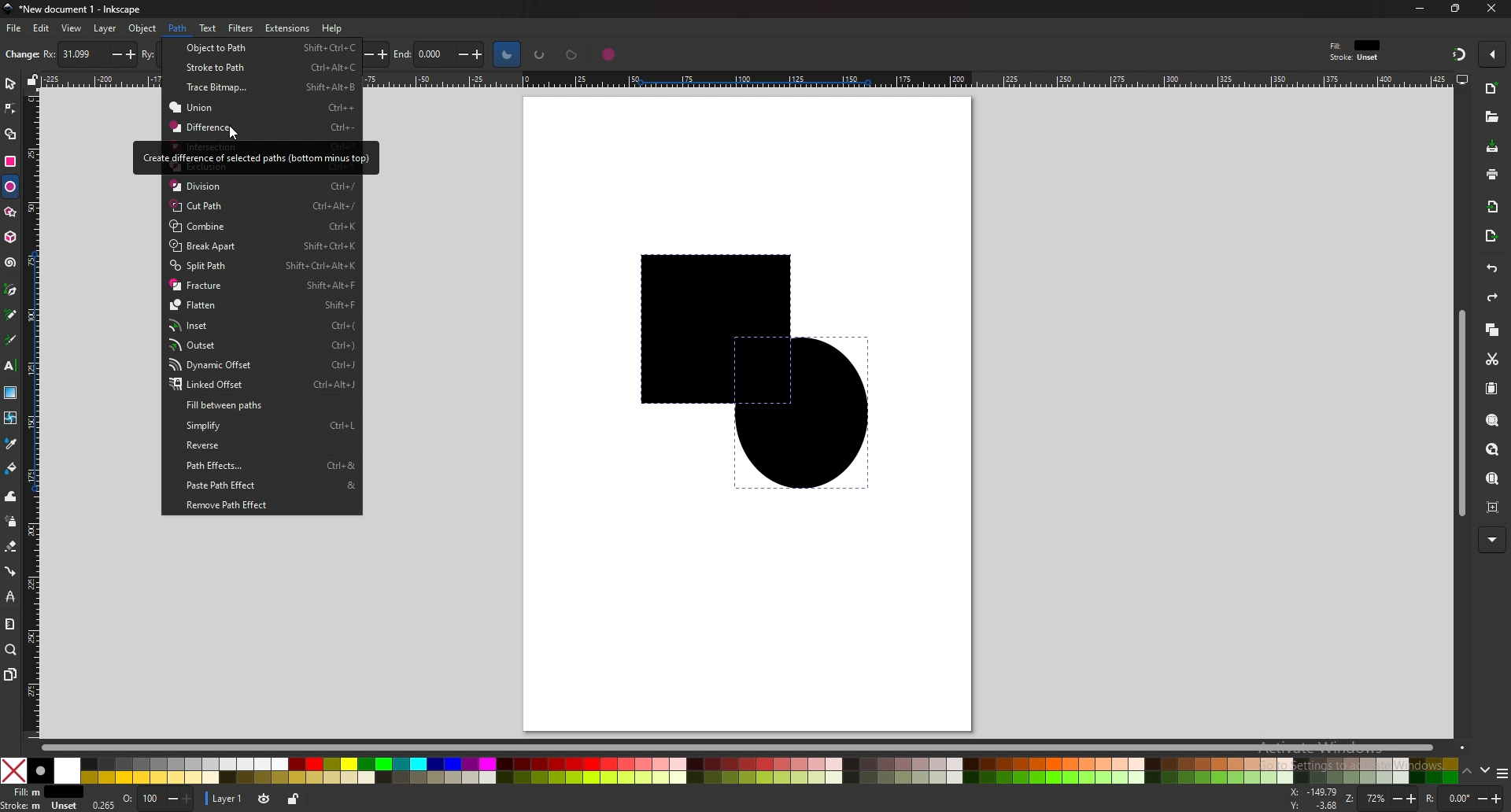  I want to click on 0.265, so click(102, 806).